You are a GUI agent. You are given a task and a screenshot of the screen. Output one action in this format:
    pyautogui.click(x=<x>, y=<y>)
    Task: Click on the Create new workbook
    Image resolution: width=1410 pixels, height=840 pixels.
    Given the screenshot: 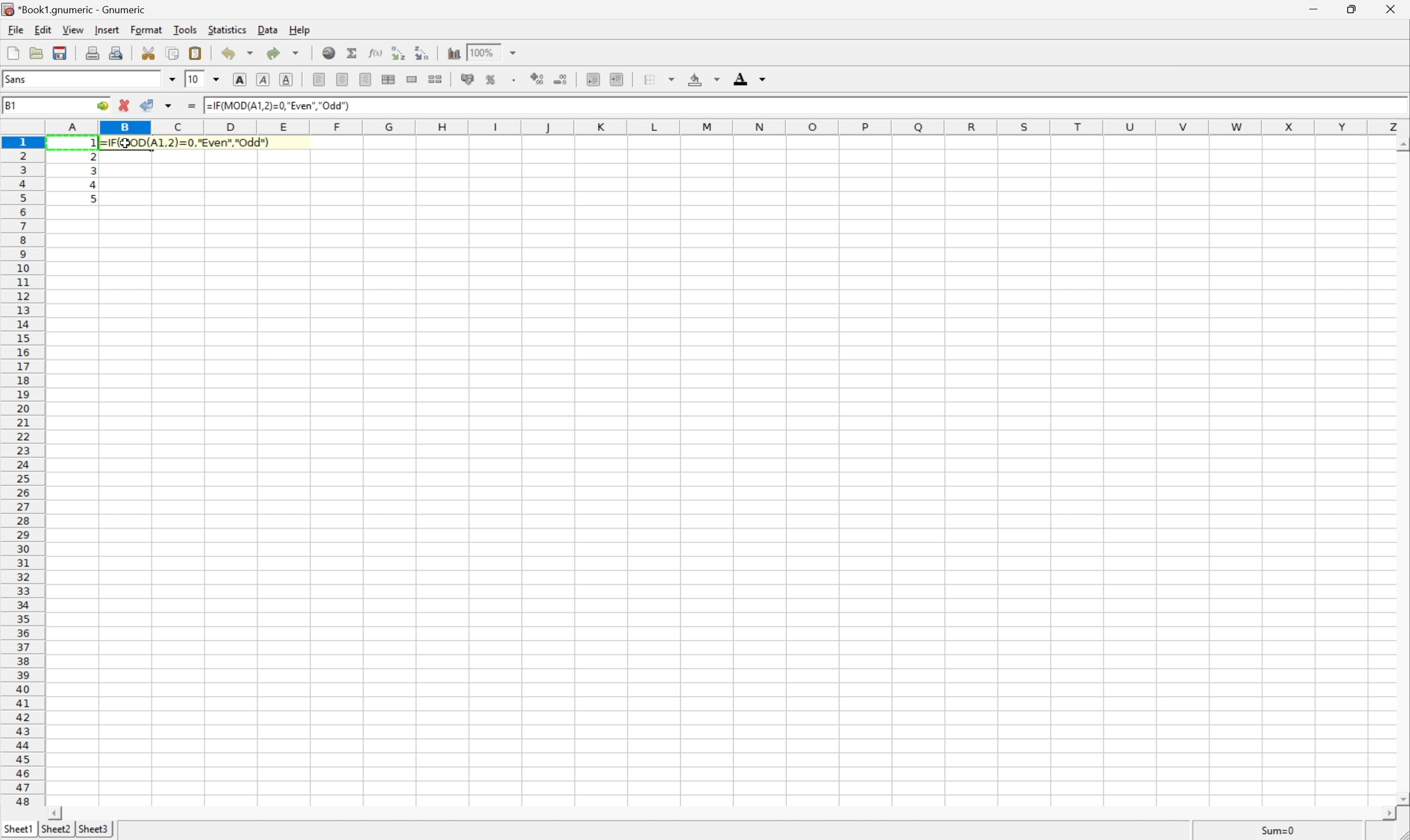 What is the action you would take?
    pyautogui.click(x=11, y=50)
    